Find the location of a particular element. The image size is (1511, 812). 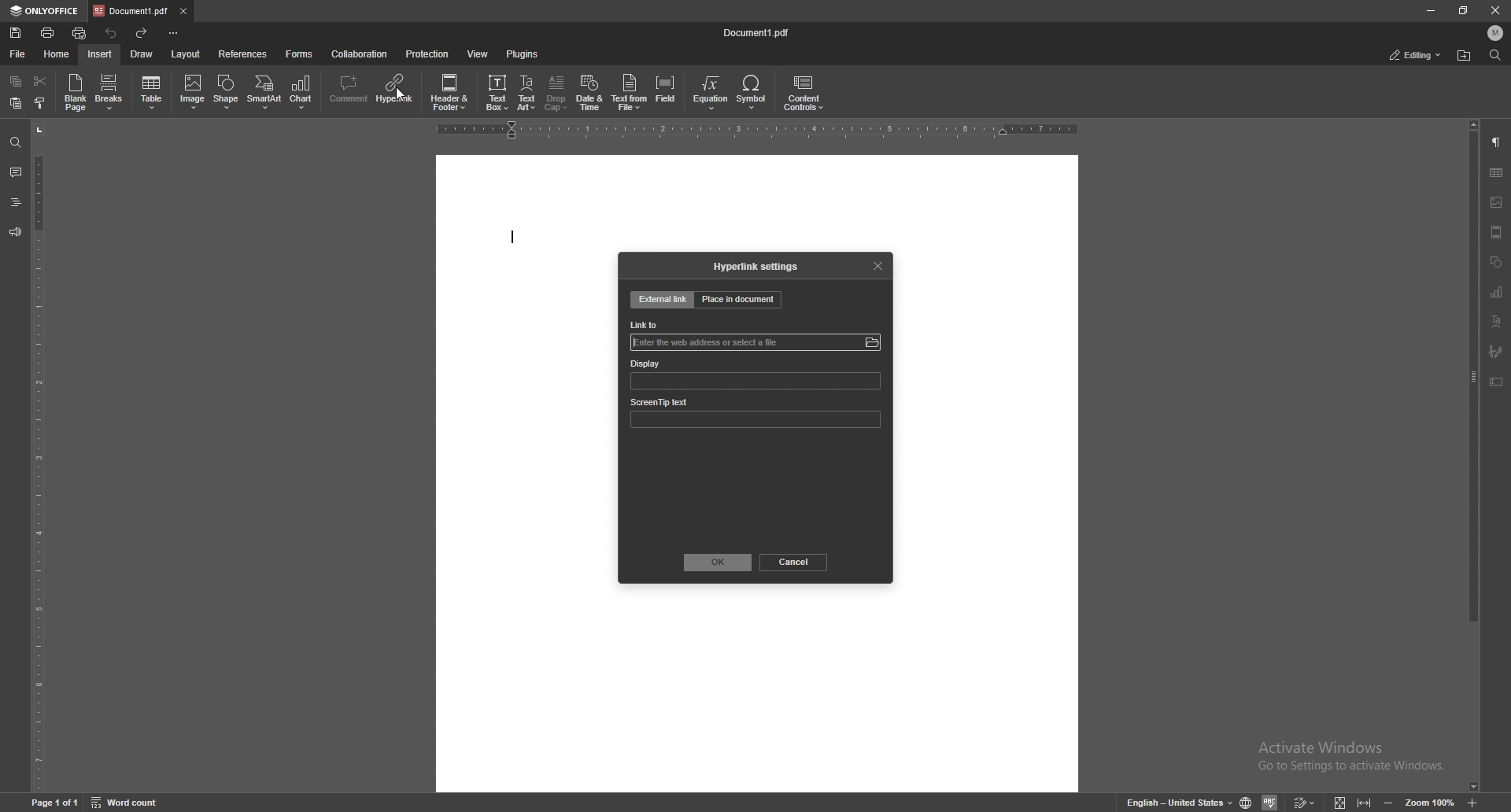

date and time is located at coordinates (590, 93).